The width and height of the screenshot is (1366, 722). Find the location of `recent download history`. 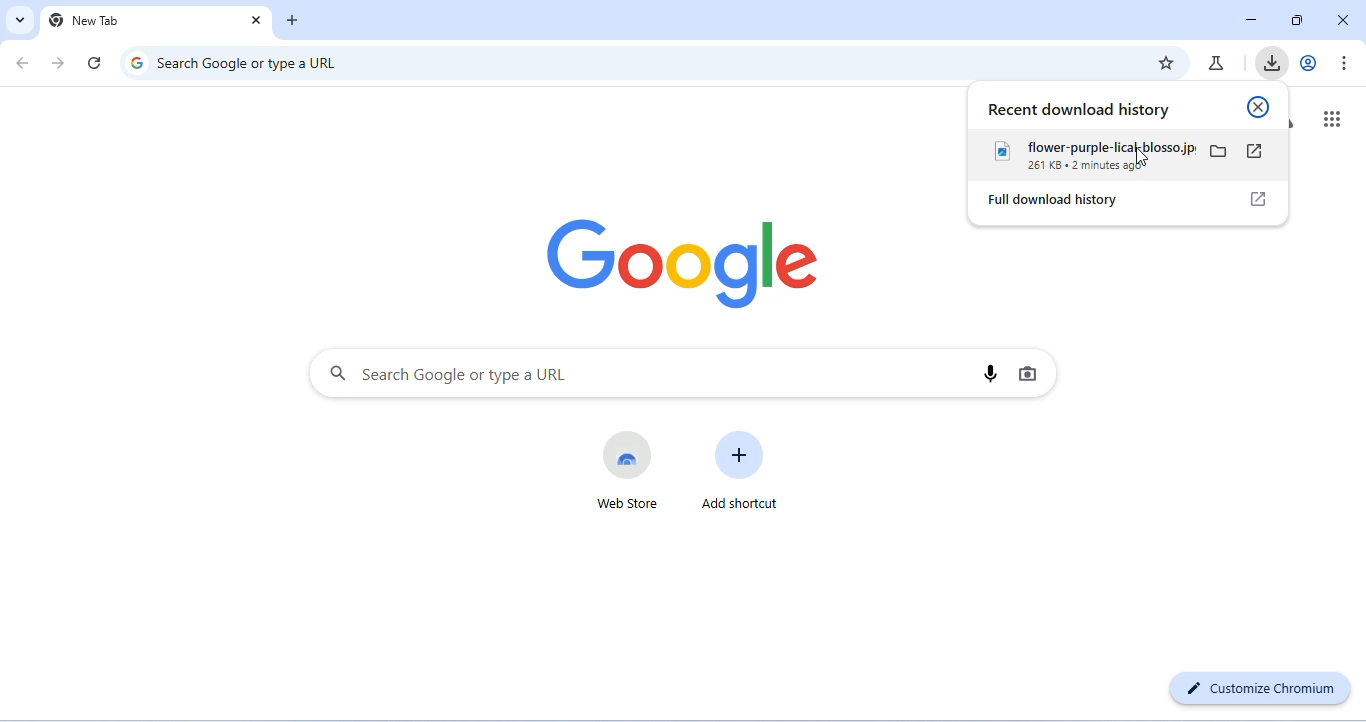

recent download history is located at coordinates (1080, 110).